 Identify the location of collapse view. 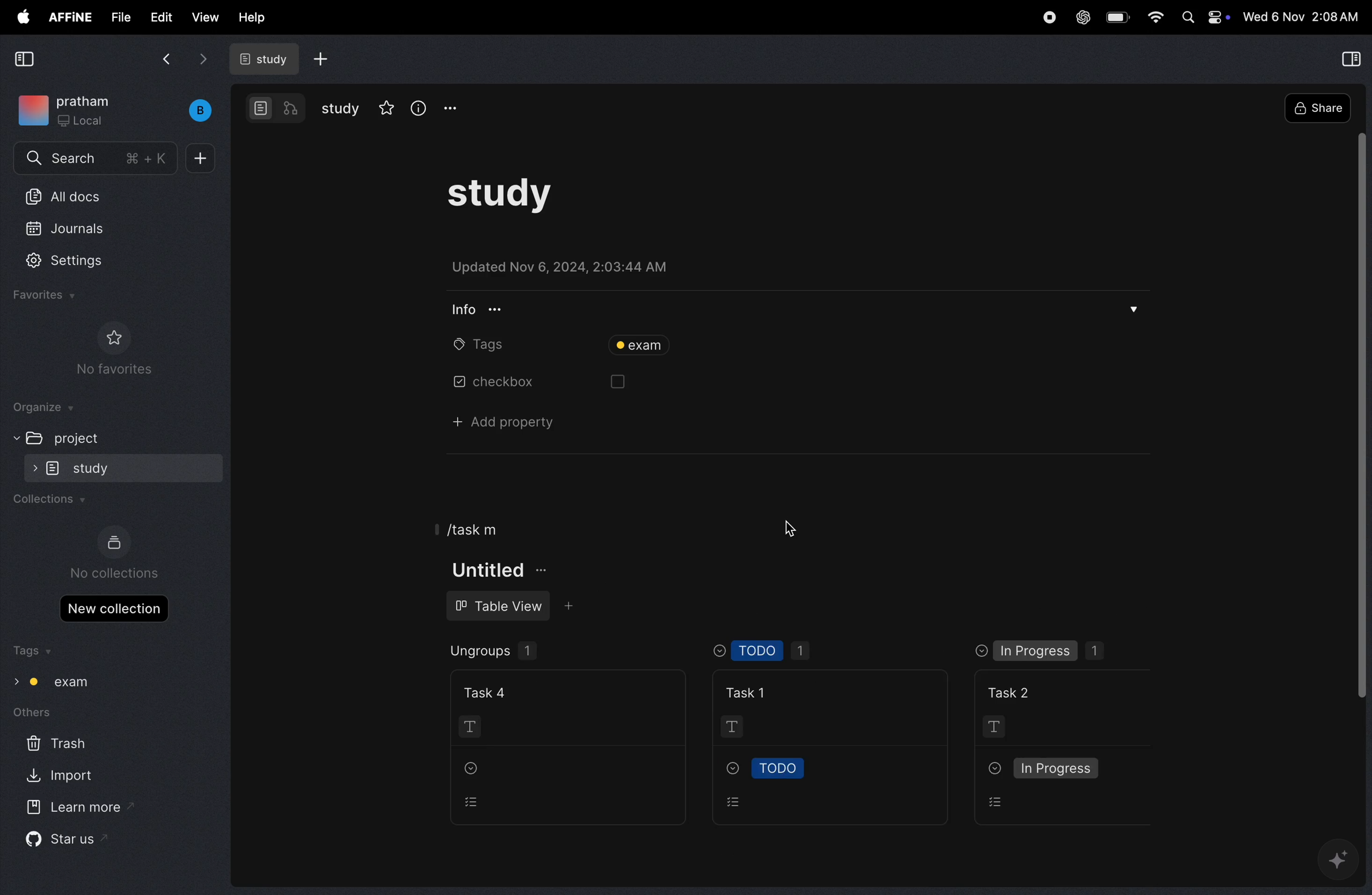
(27, 58).